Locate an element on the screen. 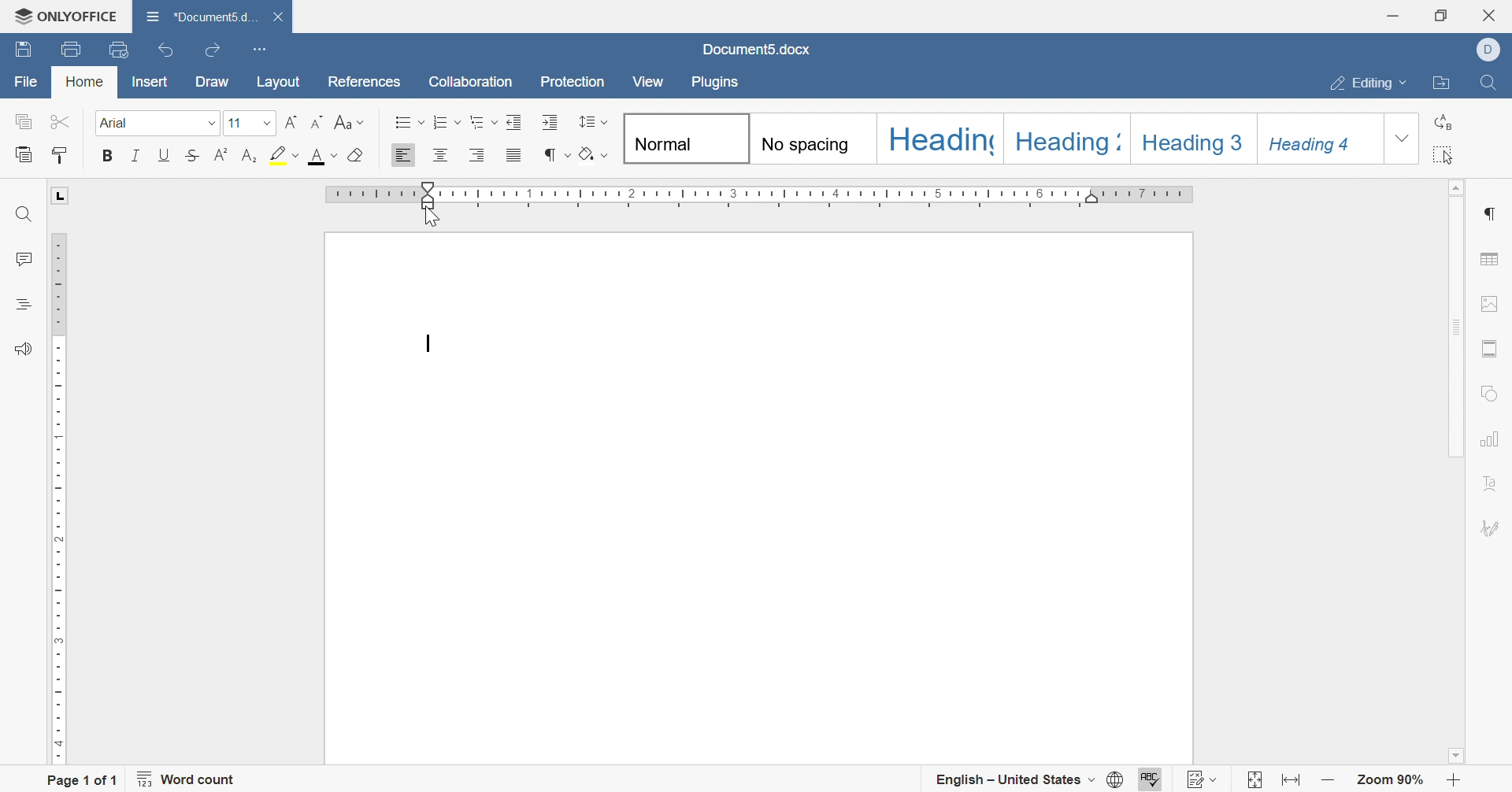 The height and width of the screenshot is (792, 1512). decrement font size is located at coordinates (317, 121).